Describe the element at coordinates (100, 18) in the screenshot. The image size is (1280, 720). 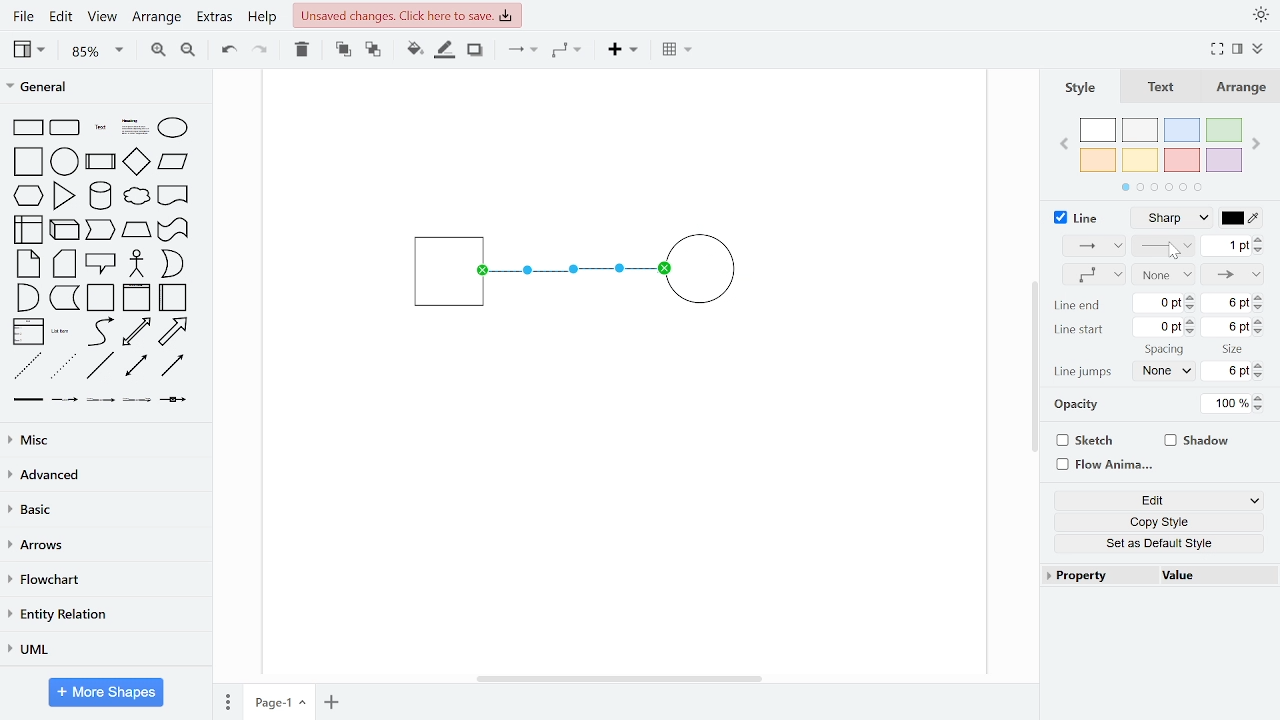
I see `view` at that location.